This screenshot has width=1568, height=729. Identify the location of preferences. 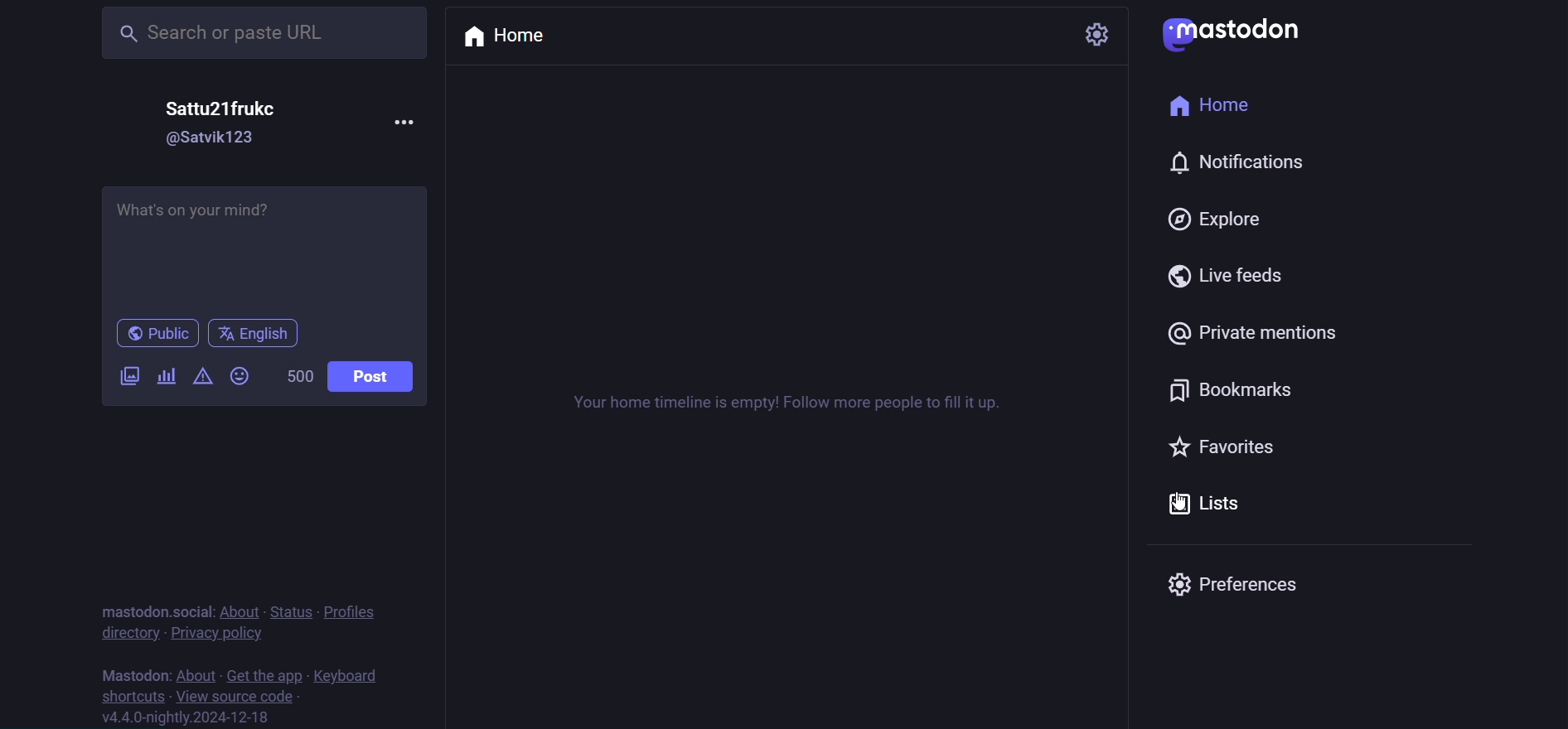
(1248, 585).